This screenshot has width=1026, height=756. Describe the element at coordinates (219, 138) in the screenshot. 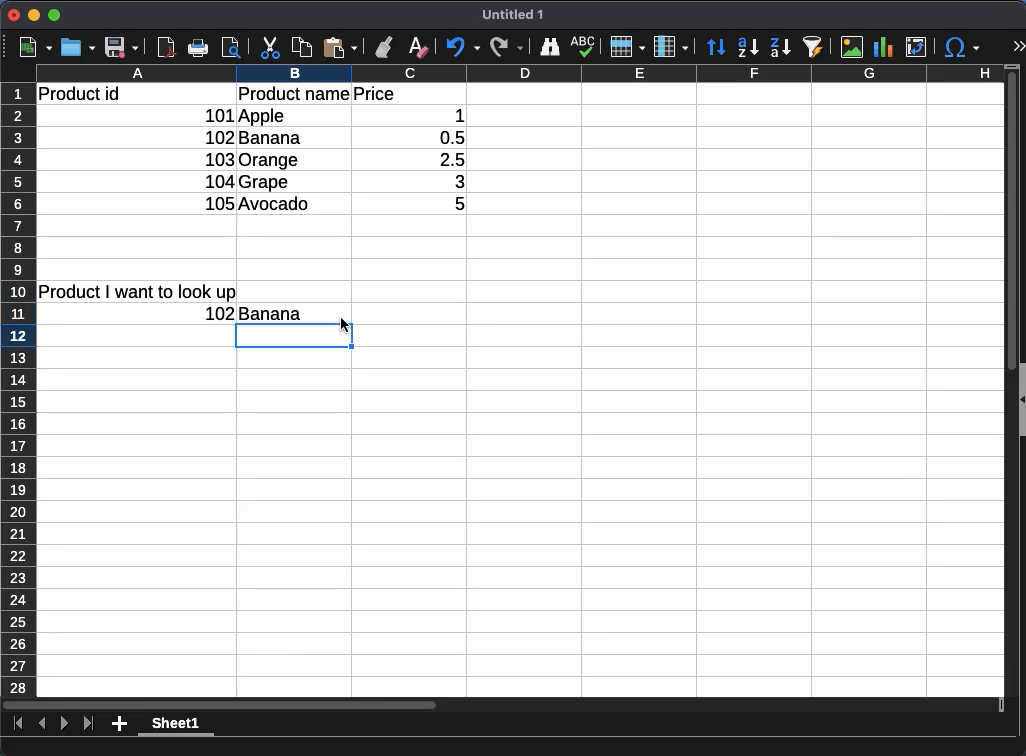

I see `102` at that location.